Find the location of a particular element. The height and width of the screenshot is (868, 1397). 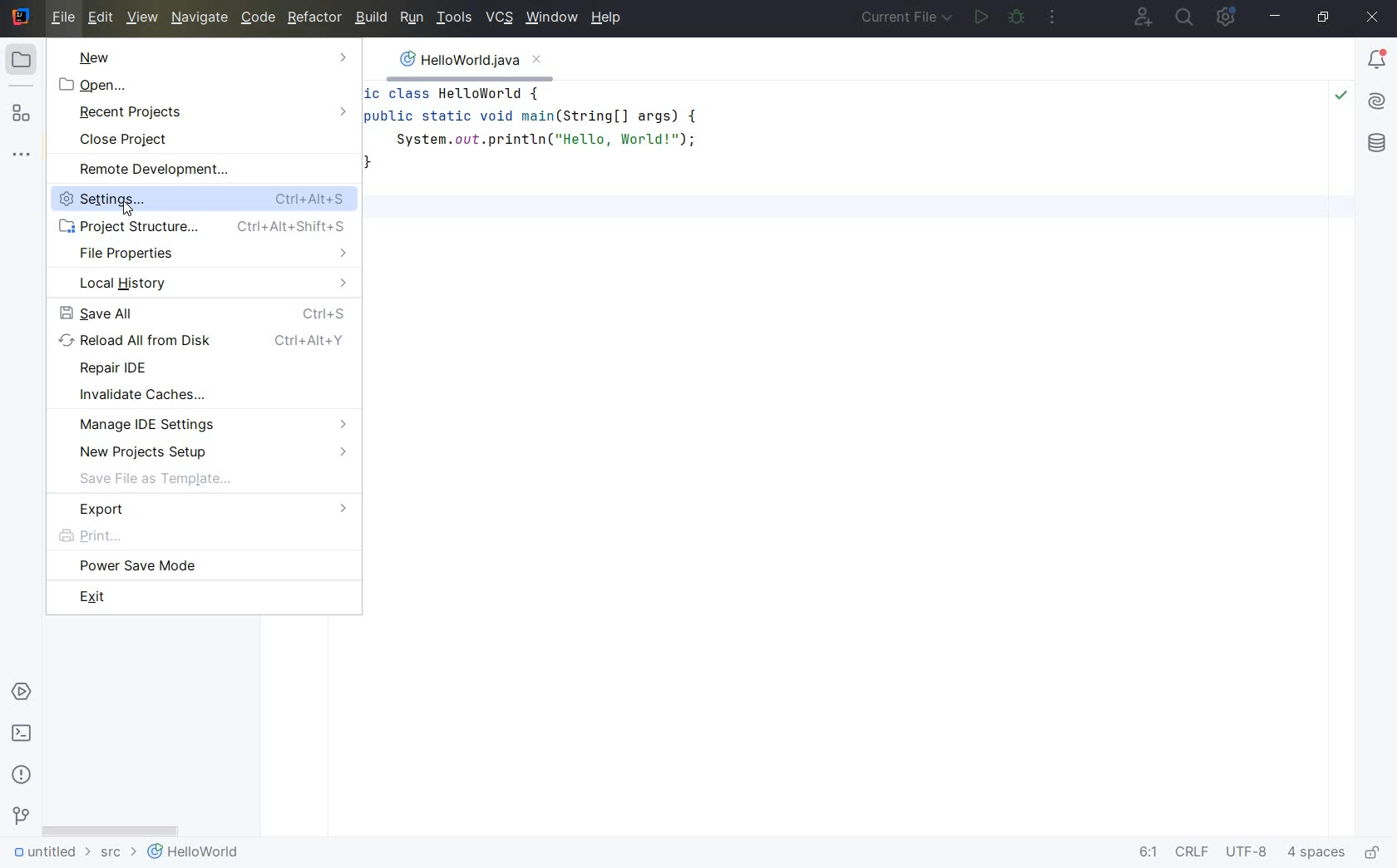

file encoding is located at coordinates (1248, 853).